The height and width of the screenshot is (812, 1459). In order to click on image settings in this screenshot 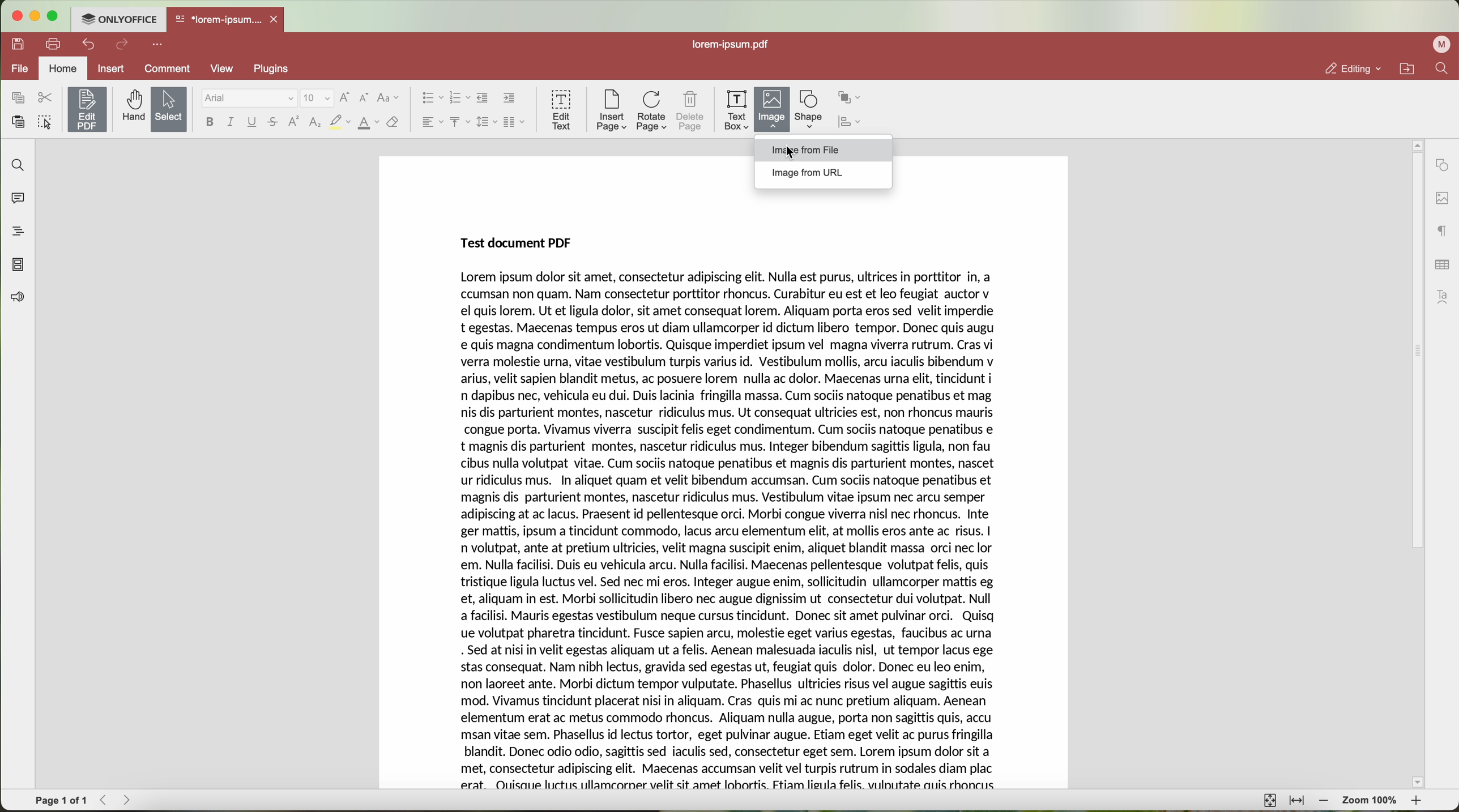, I will do `click(1442, 199)`.